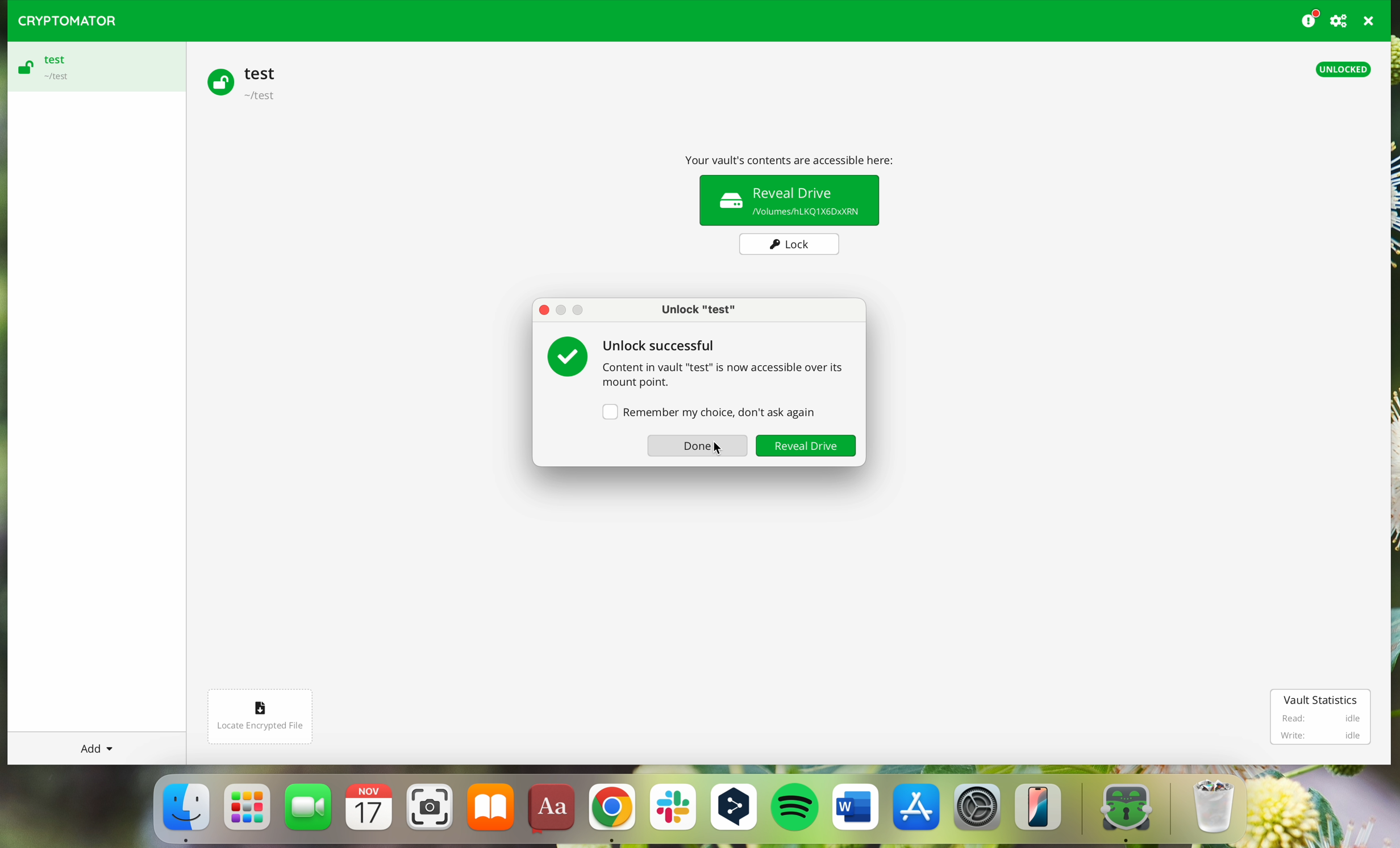 This screenshot has width=1400, height=848. Describe the element at coordinates (1321, 716) in the screenshot. I see `vault statistics` at that location.